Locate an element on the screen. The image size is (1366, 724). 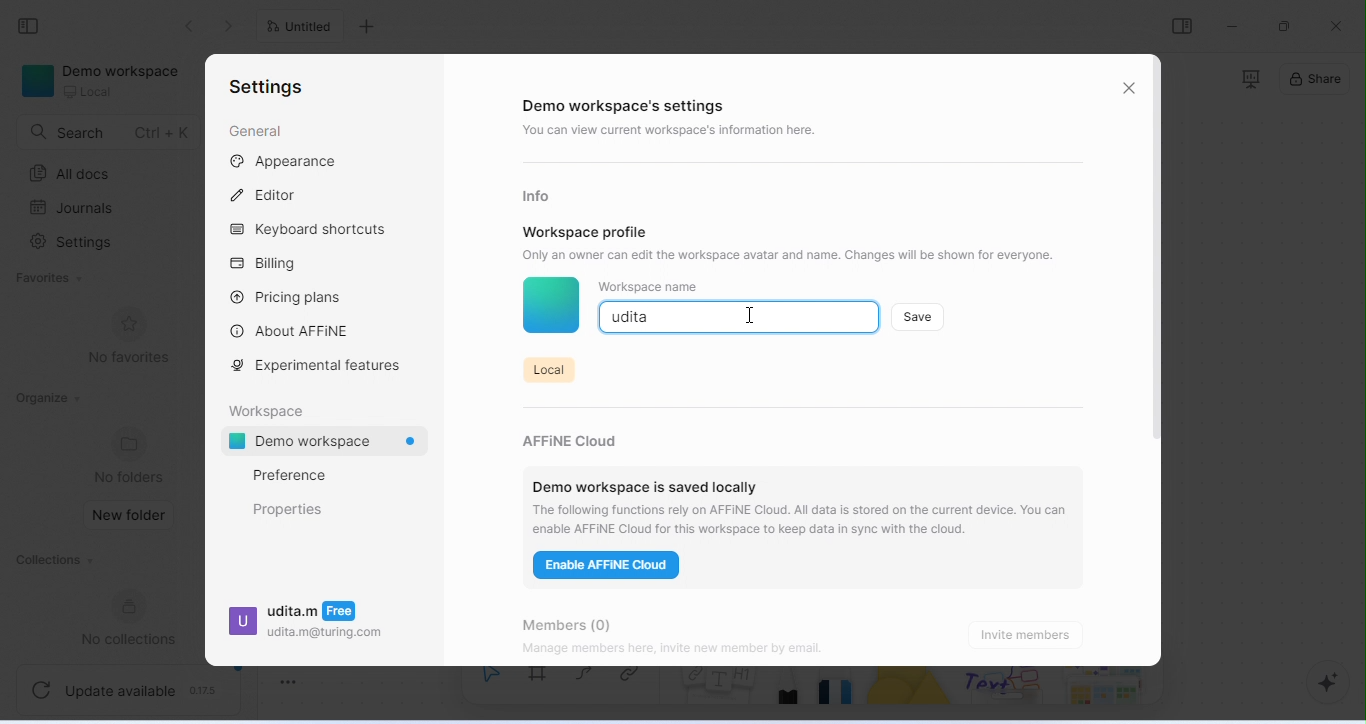
favorites is located at coordinates (53, 279).